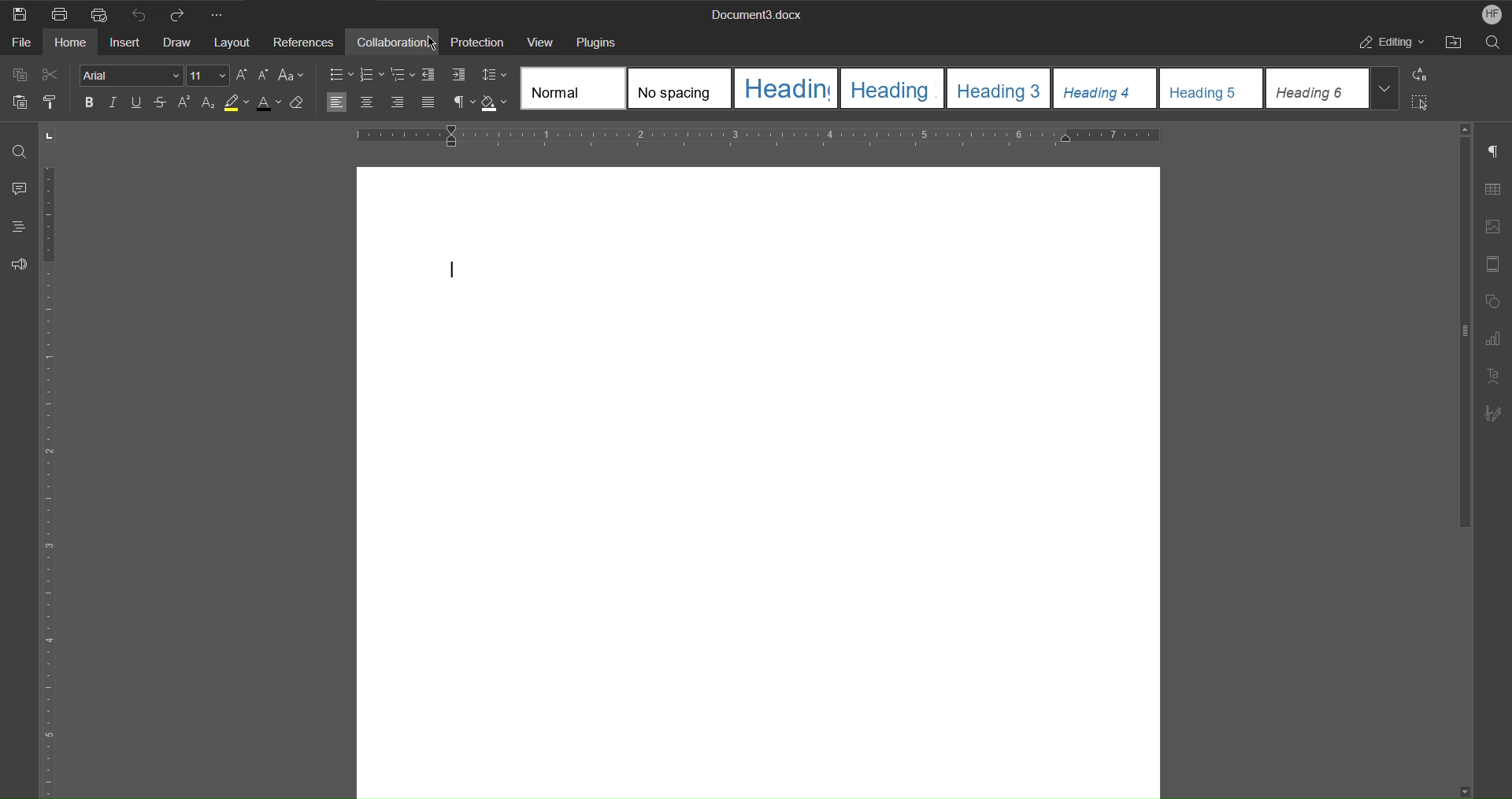 The width and height of the screenshot is (1512, 799). I want to click on Tab stop, so click(53, 136).